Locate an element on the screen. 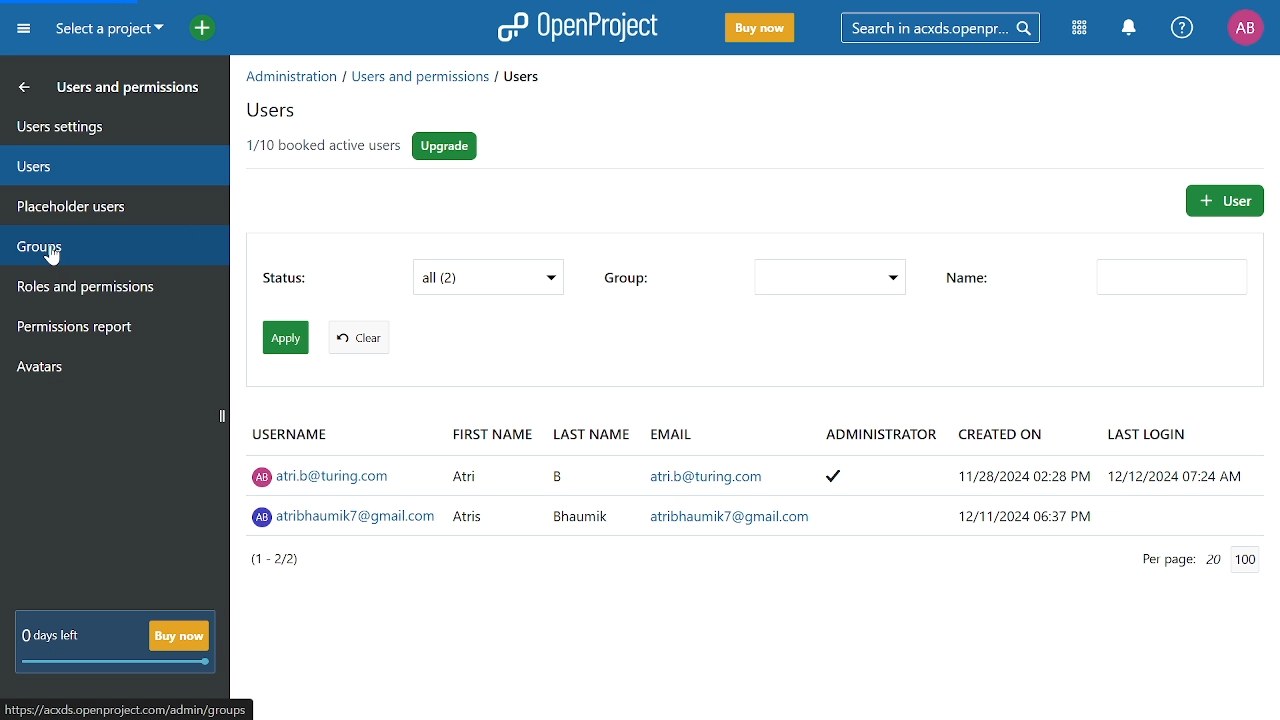  status is located at coordinates (287, 281).